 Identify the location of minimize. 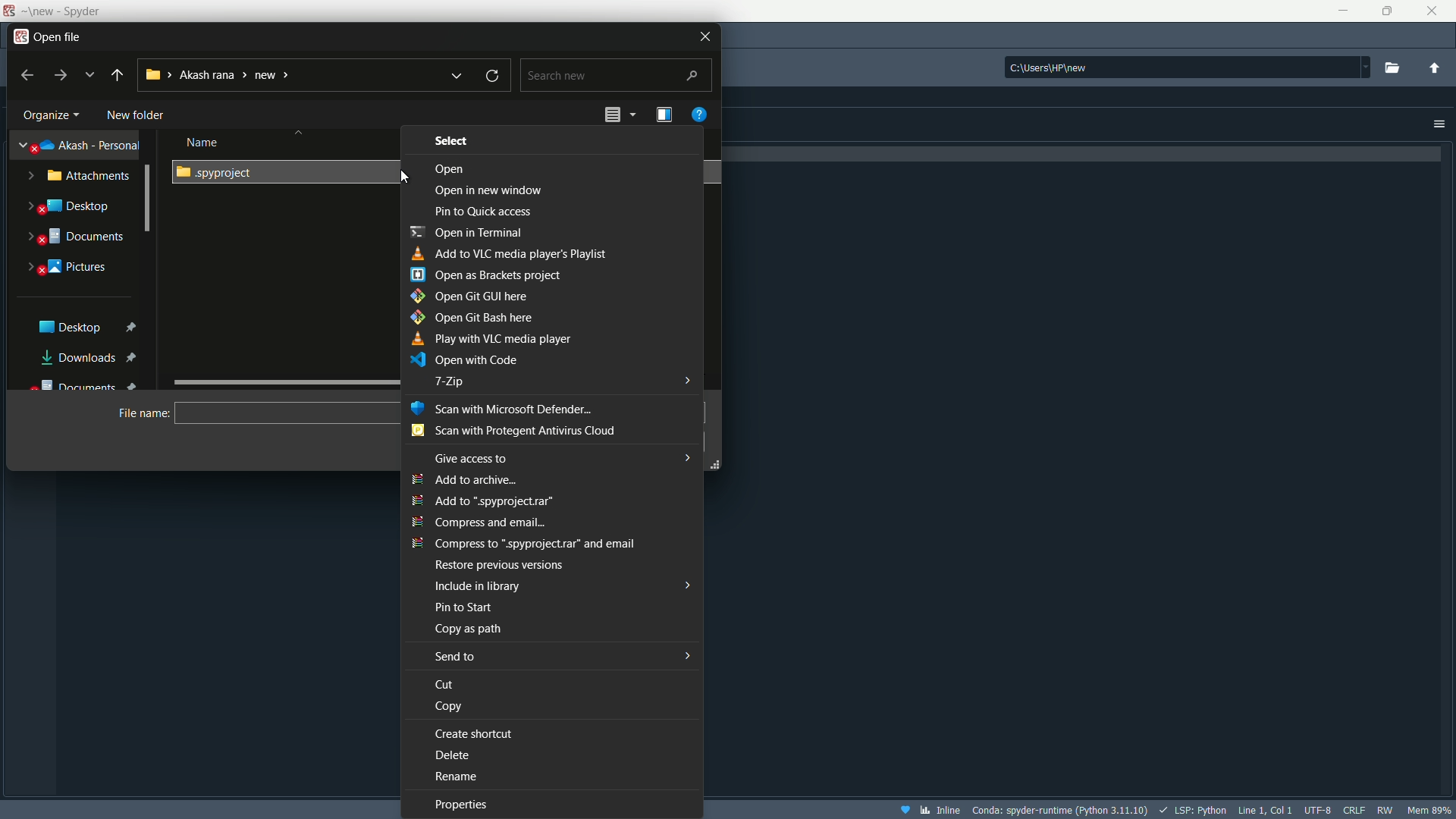
(1344, 11).